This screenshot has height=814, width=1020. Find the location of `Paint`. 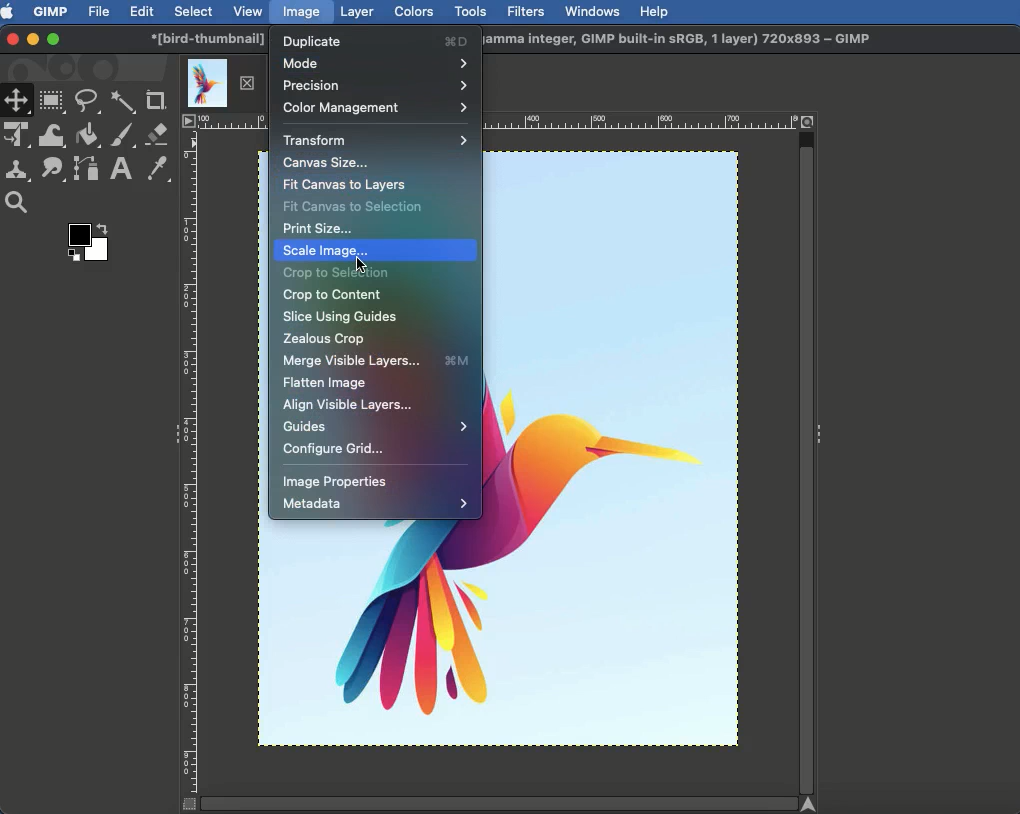

Paint is located at coordinates (124, 136).